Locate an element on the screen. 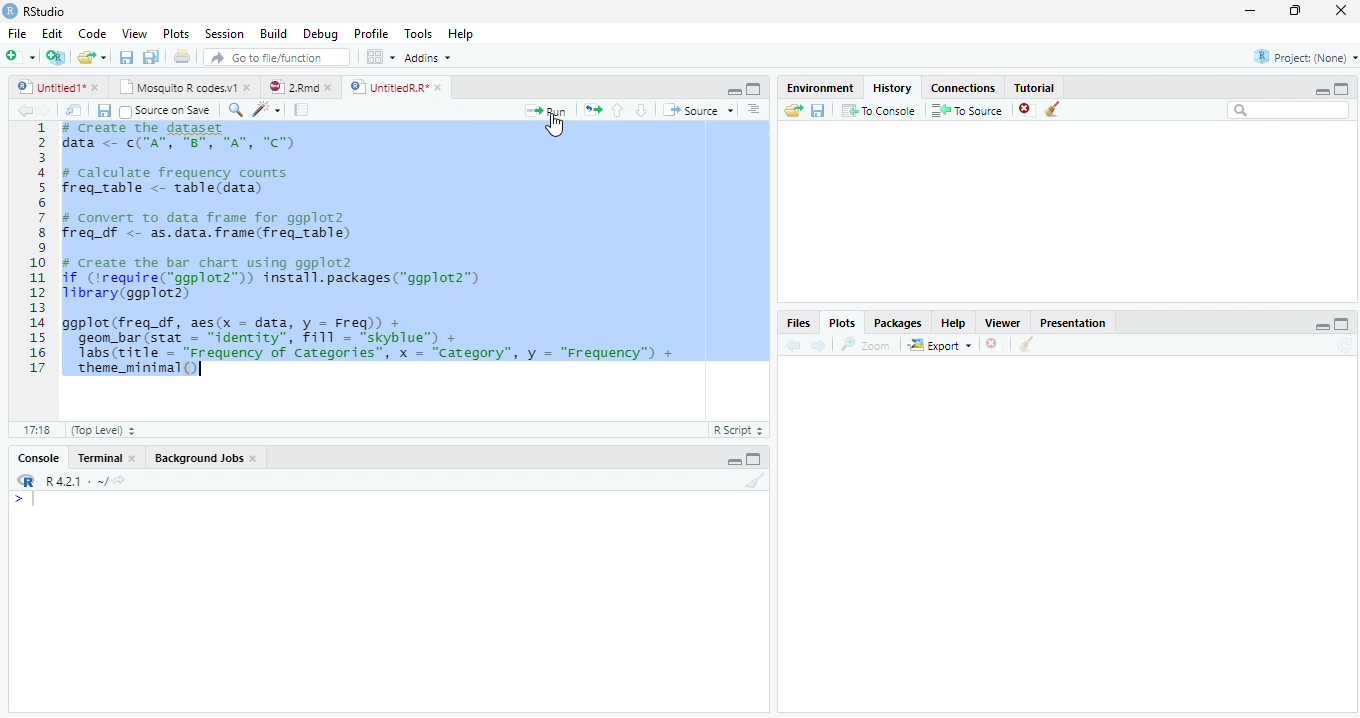 This screenshot has height=718, width=1360. Show in new window is located at coordinates (74, 110).